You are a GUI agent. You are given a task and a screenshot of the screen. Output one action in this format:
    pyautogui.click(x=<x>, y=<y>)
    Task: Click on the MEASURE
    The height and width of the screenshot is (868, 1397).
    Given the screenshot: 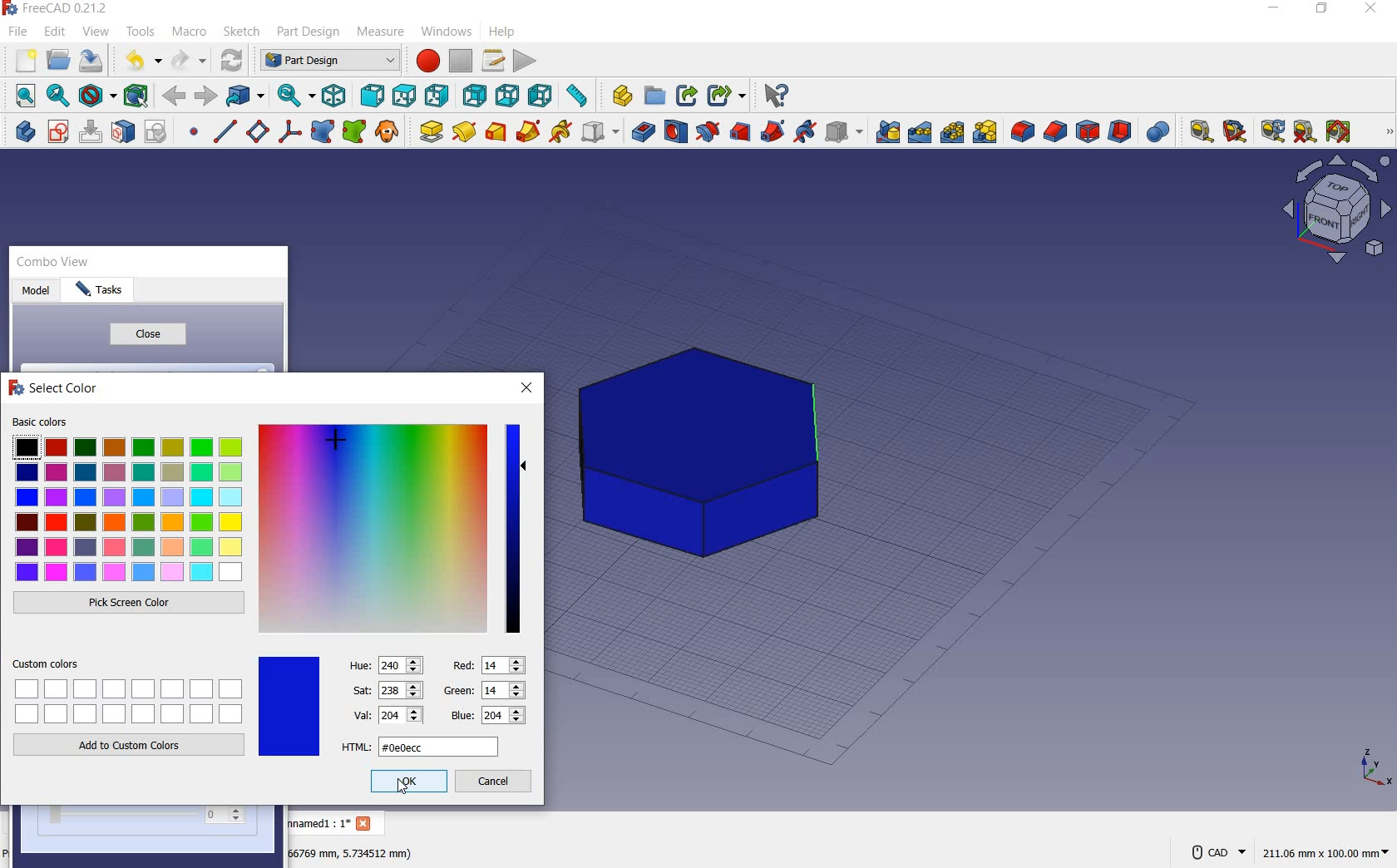 What is the action you would take?
    pyautogui.click(x=1386, y=133)
    